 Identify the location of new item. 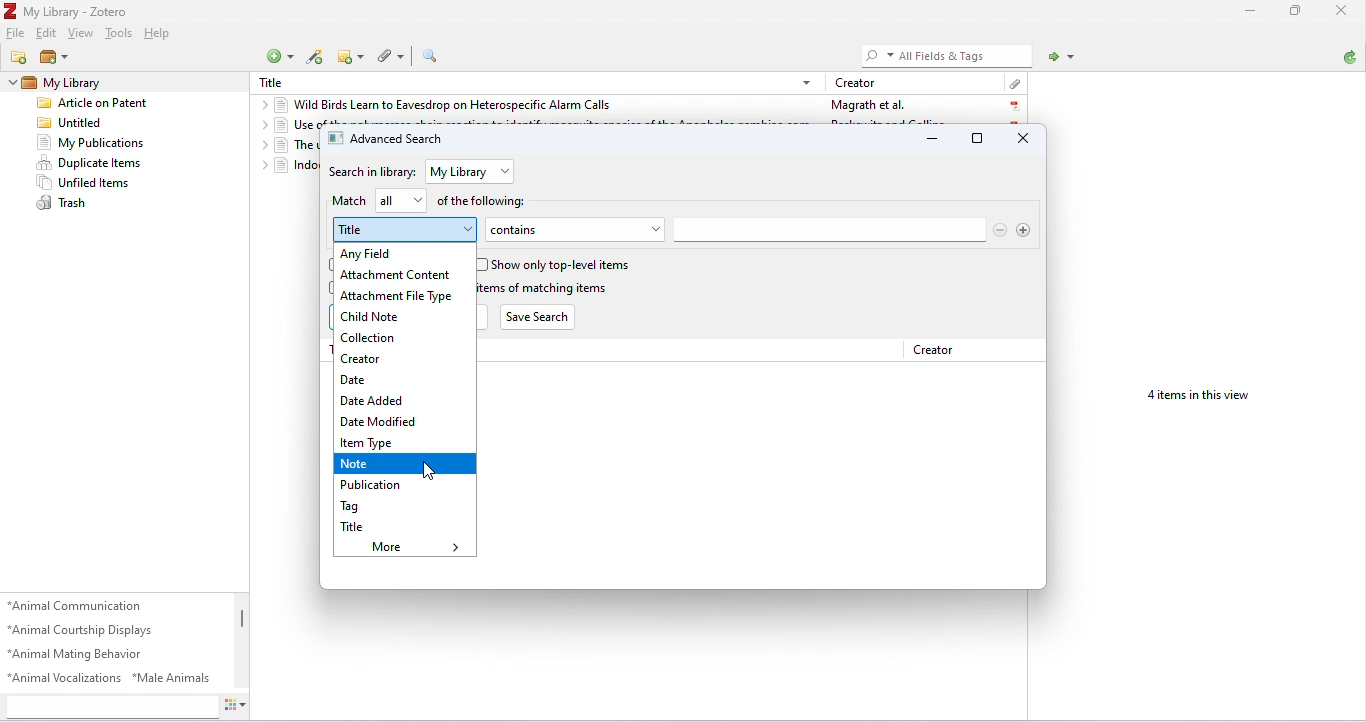
(280, 57).